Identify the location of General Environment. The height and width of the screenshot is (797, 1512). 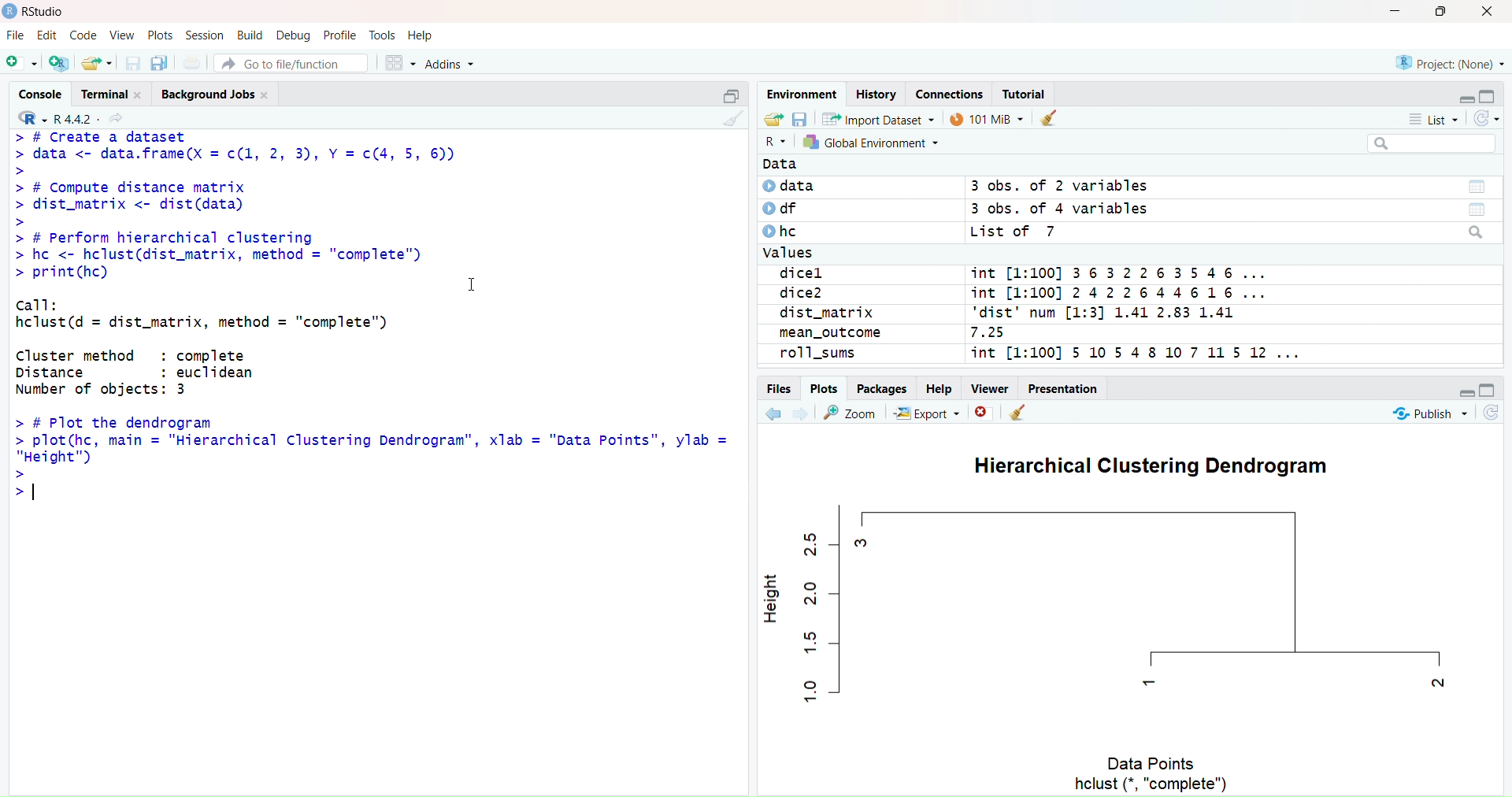
(877, 142).